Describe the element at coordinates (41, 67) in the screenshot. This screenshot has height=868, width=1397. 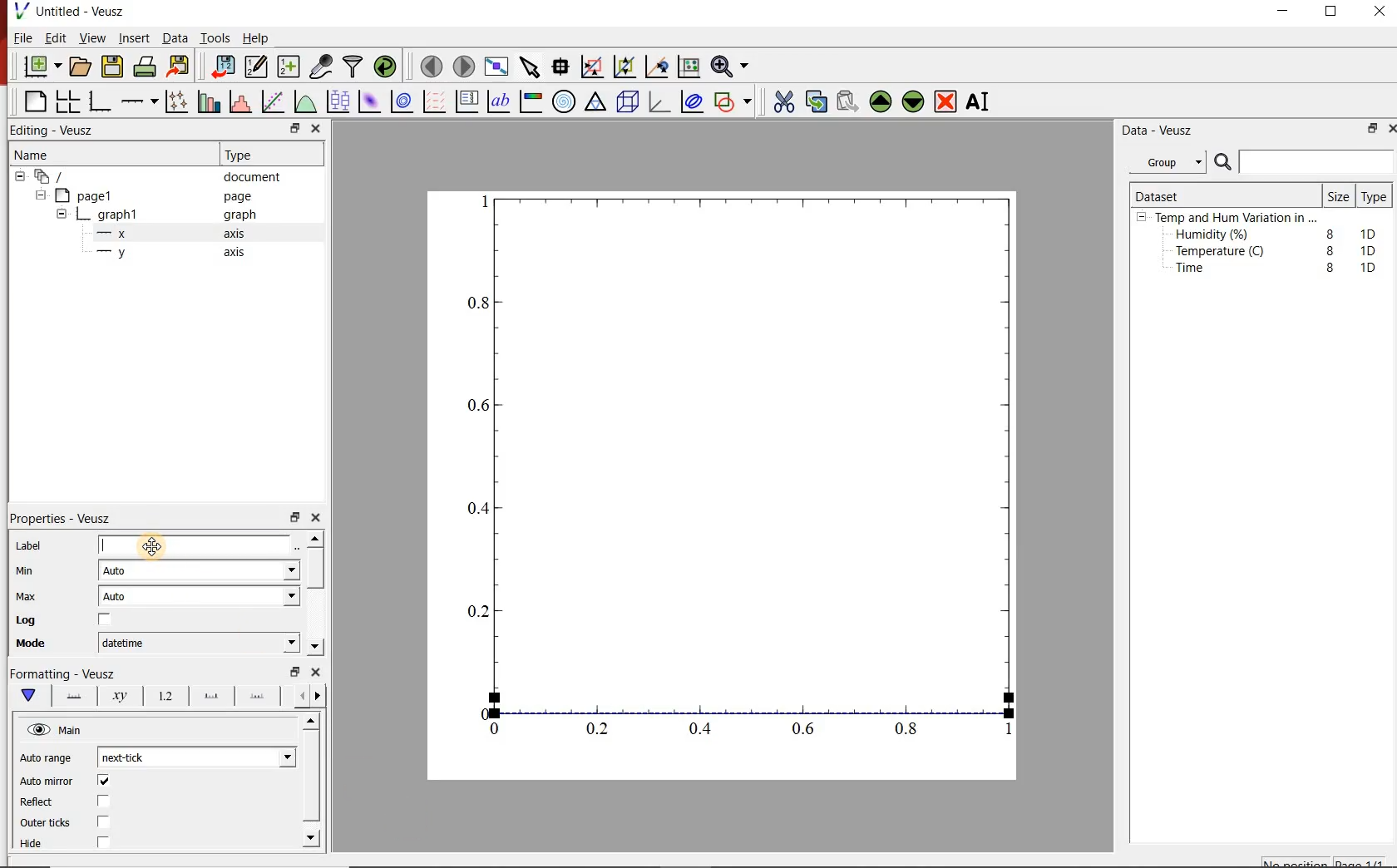
I see `new document` at that location.